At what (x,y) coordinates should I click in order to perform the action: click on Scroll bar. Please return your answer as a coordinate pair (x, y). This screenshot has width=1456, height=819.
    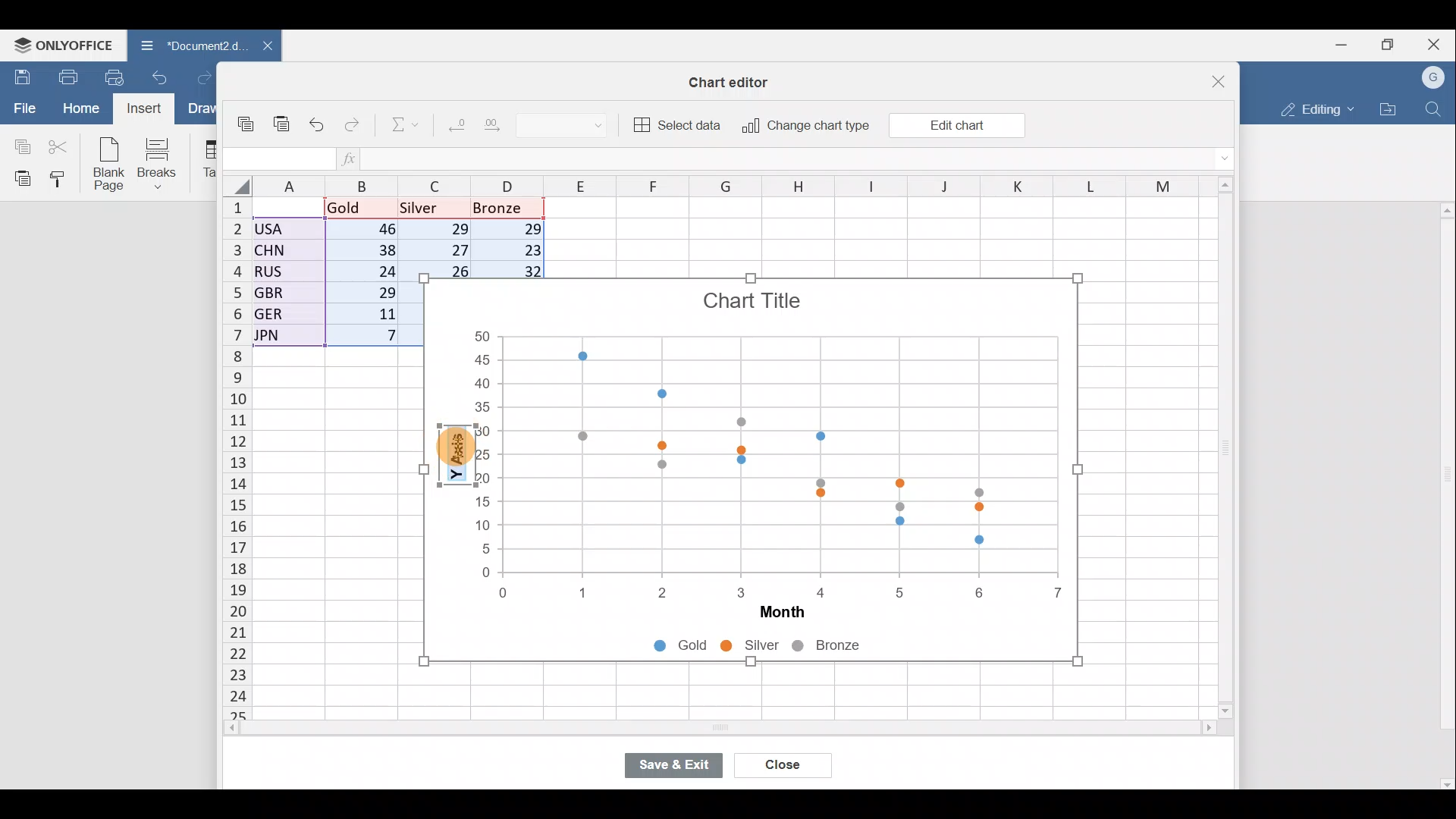
    Looking at the image, I should click on (1444, 495).